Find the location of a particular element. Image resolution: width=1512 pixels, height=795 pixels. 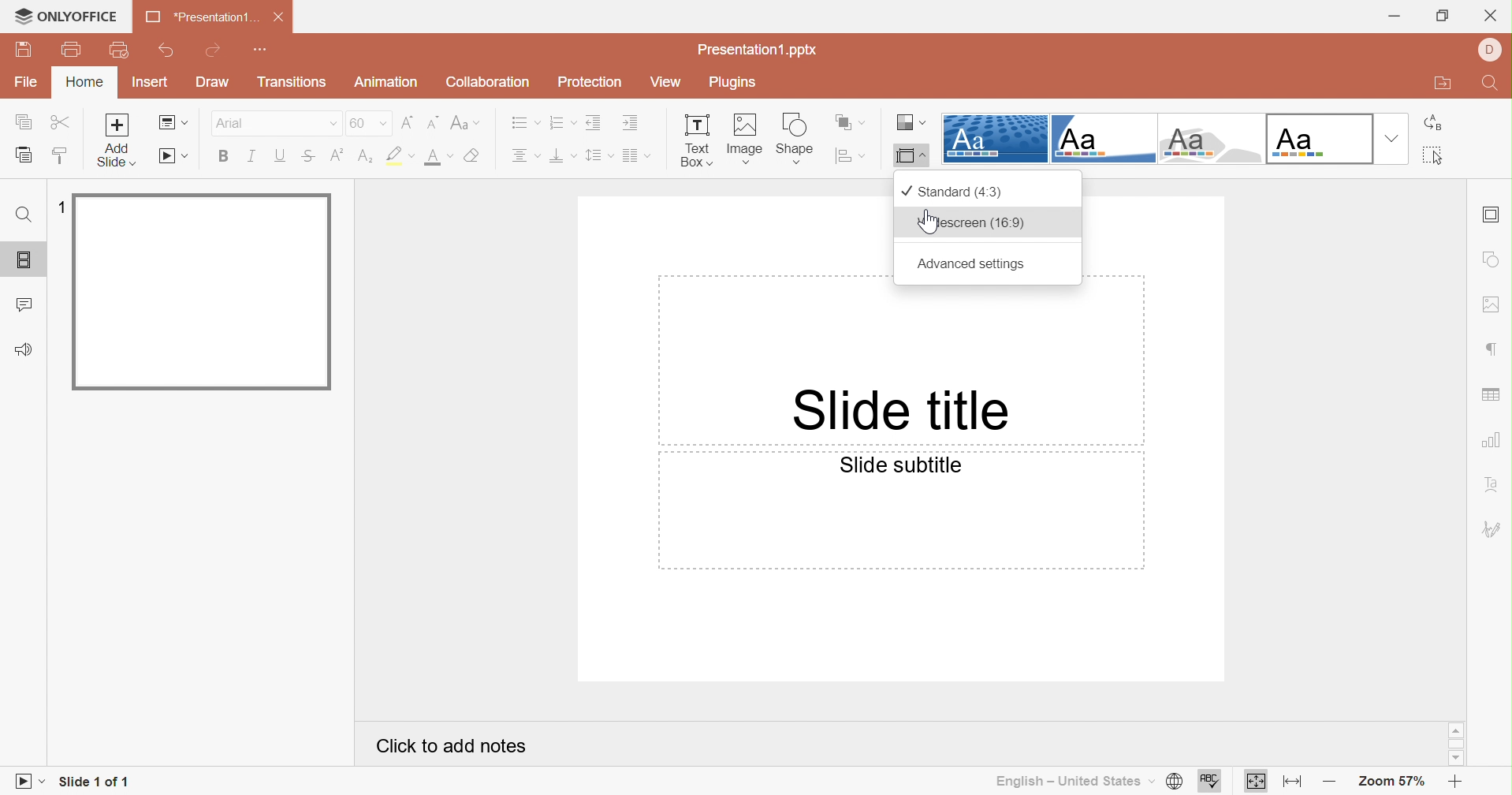

Zoom in is located at coordinates (1332, 784).